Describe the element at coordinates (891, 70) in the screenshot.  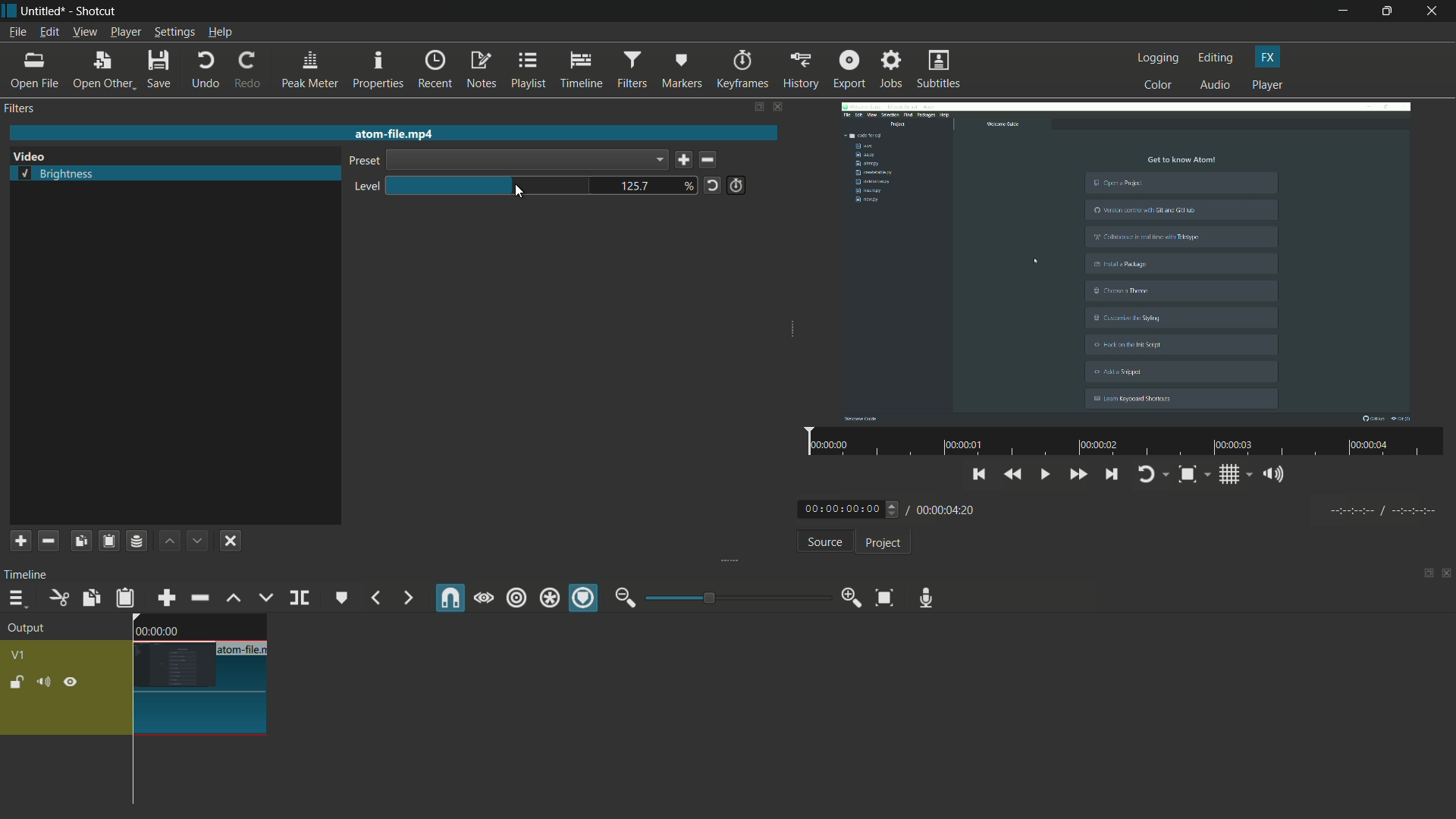
I see `jobs` at that location.